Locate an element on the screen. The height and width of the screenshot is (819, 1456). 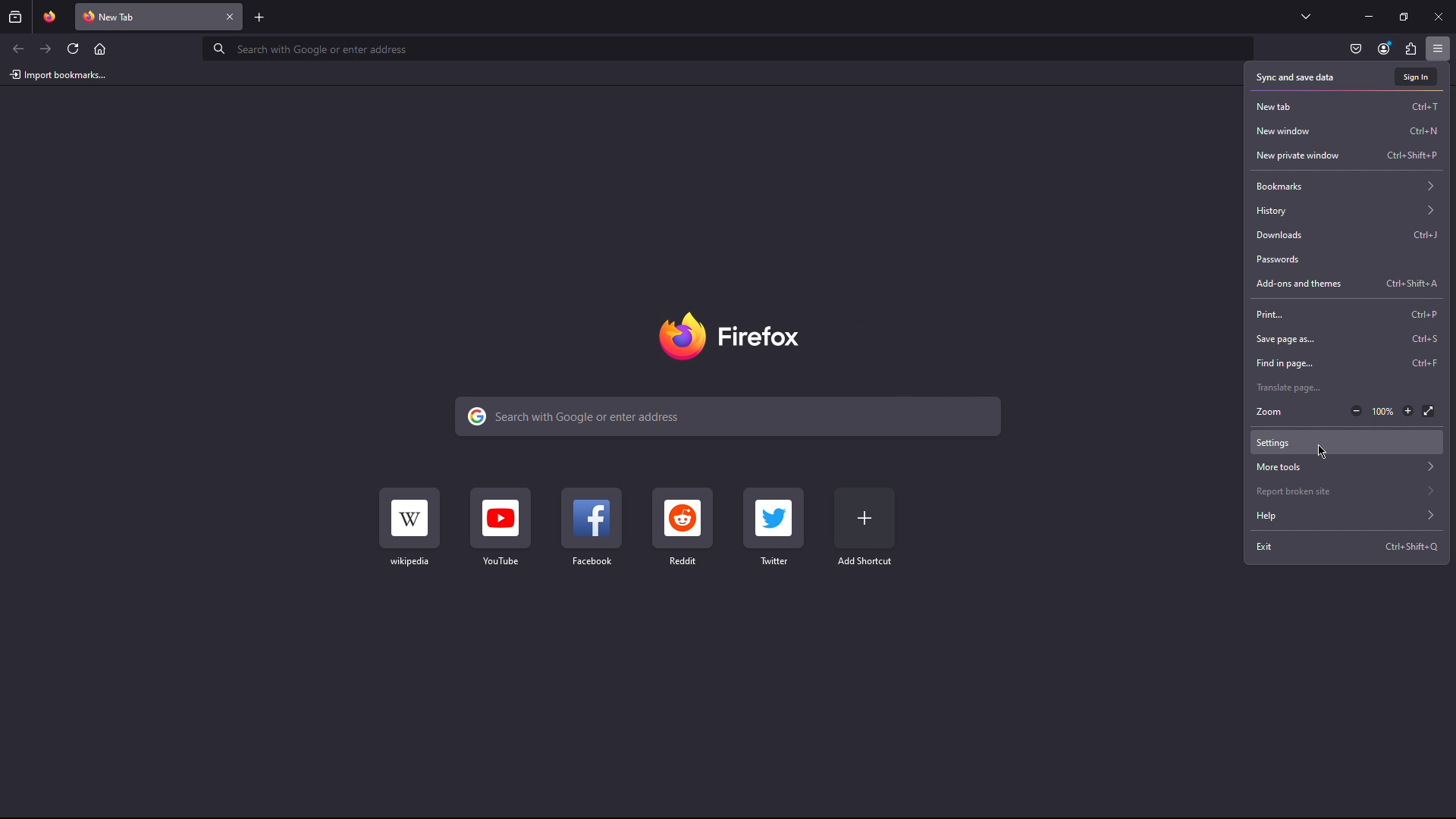
Fullscreen is located at coordinates (1428, 411).